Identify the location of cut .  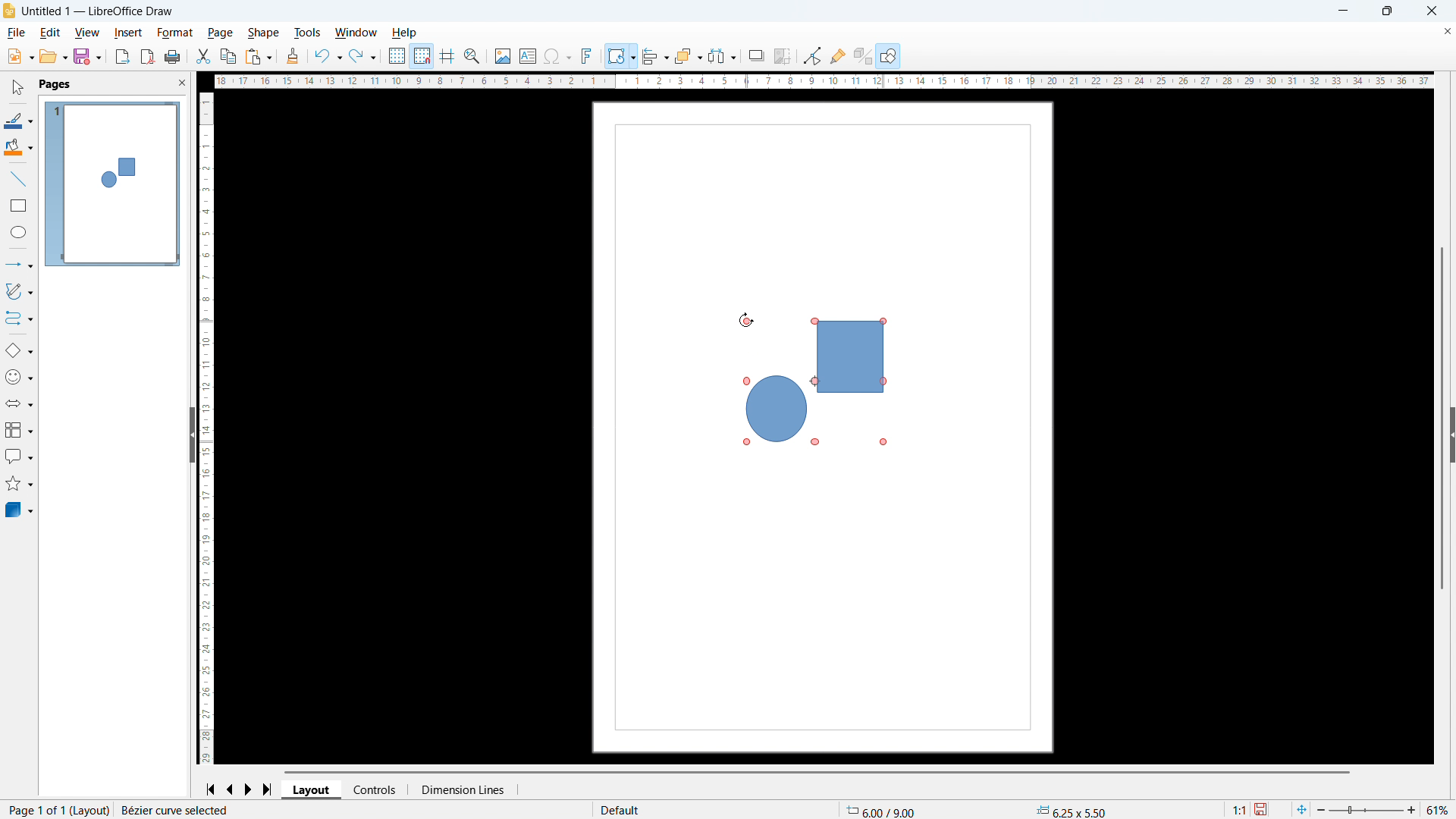
(203, 56).